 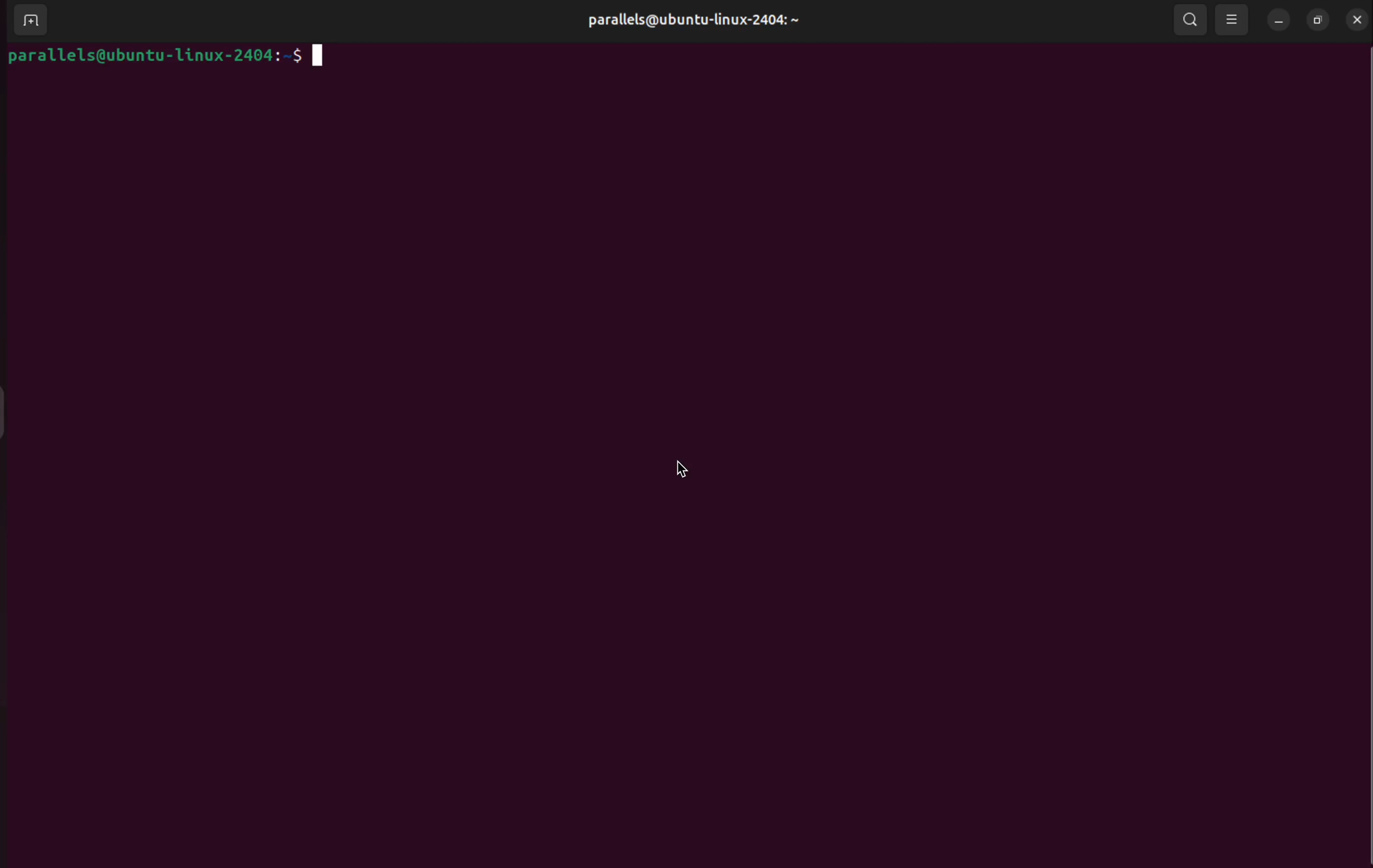 What do you see at coordinates (28, 21) in the screenshot?
I see `add terminal` at bounding box center [28, 21].